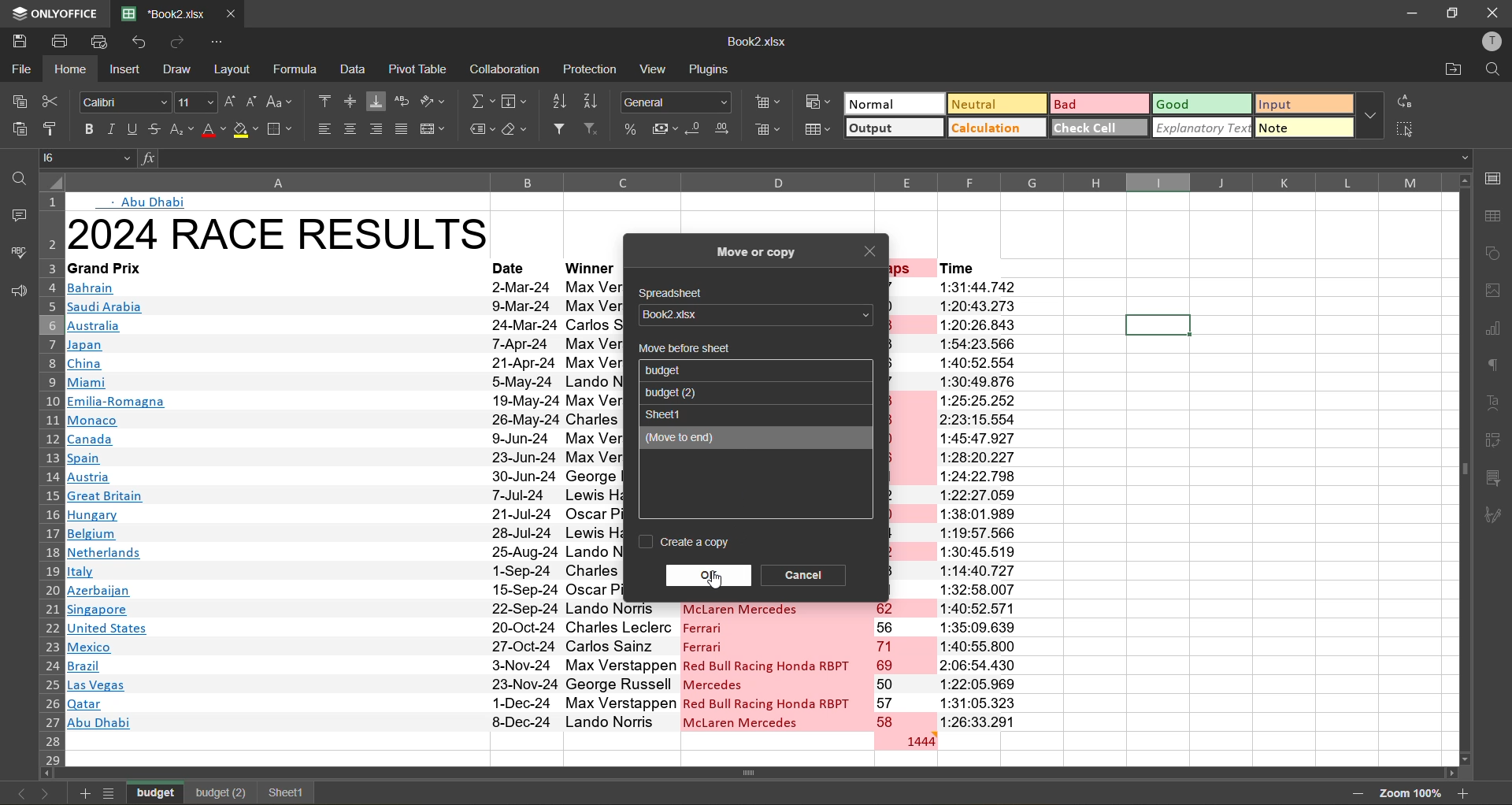 The image size is (1512, 805). I want to click on clear filter, so click(597, 131).